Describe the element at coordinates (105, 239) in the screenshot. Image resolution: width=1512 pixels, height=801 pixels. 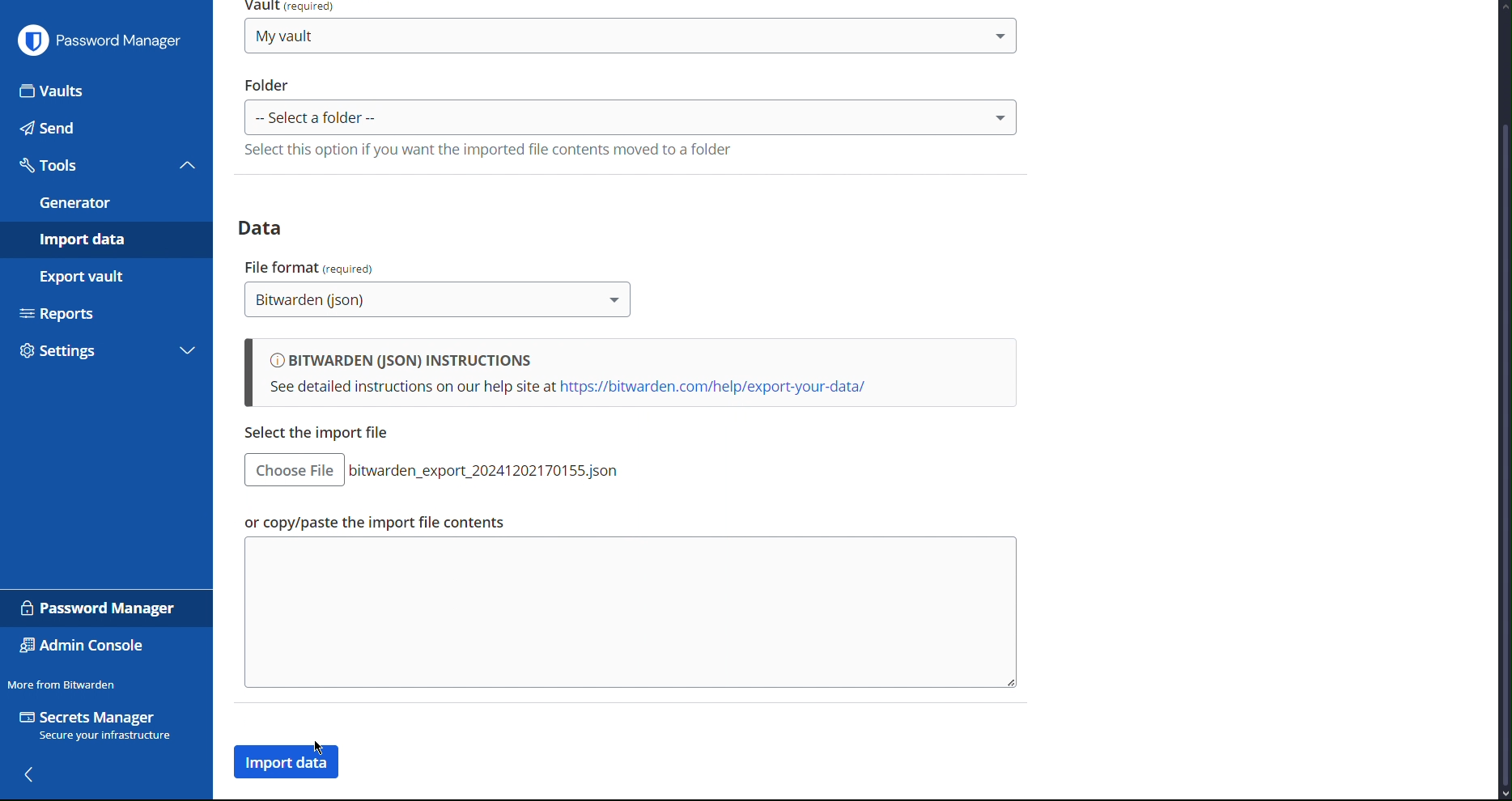
I see `Import data` at that location.